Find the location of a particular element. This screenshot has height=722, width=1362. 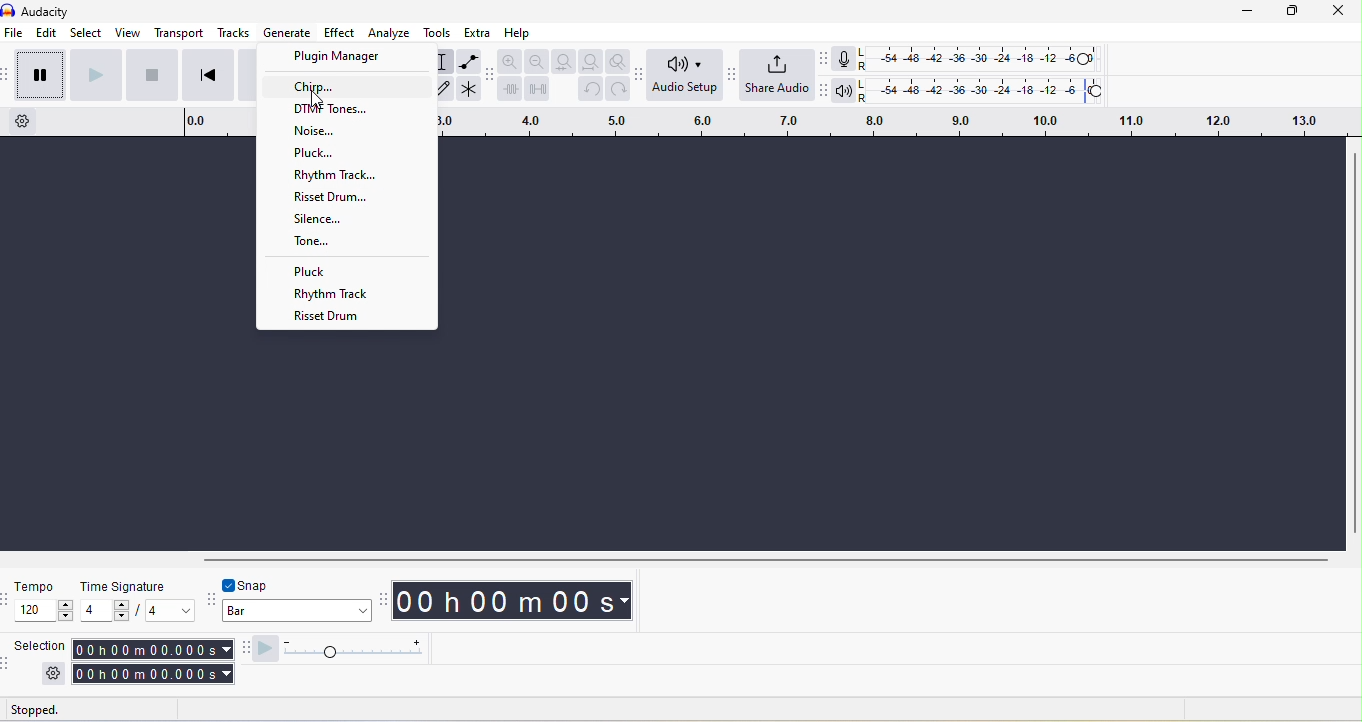

rhythm track is located at coordinates (338, 292).